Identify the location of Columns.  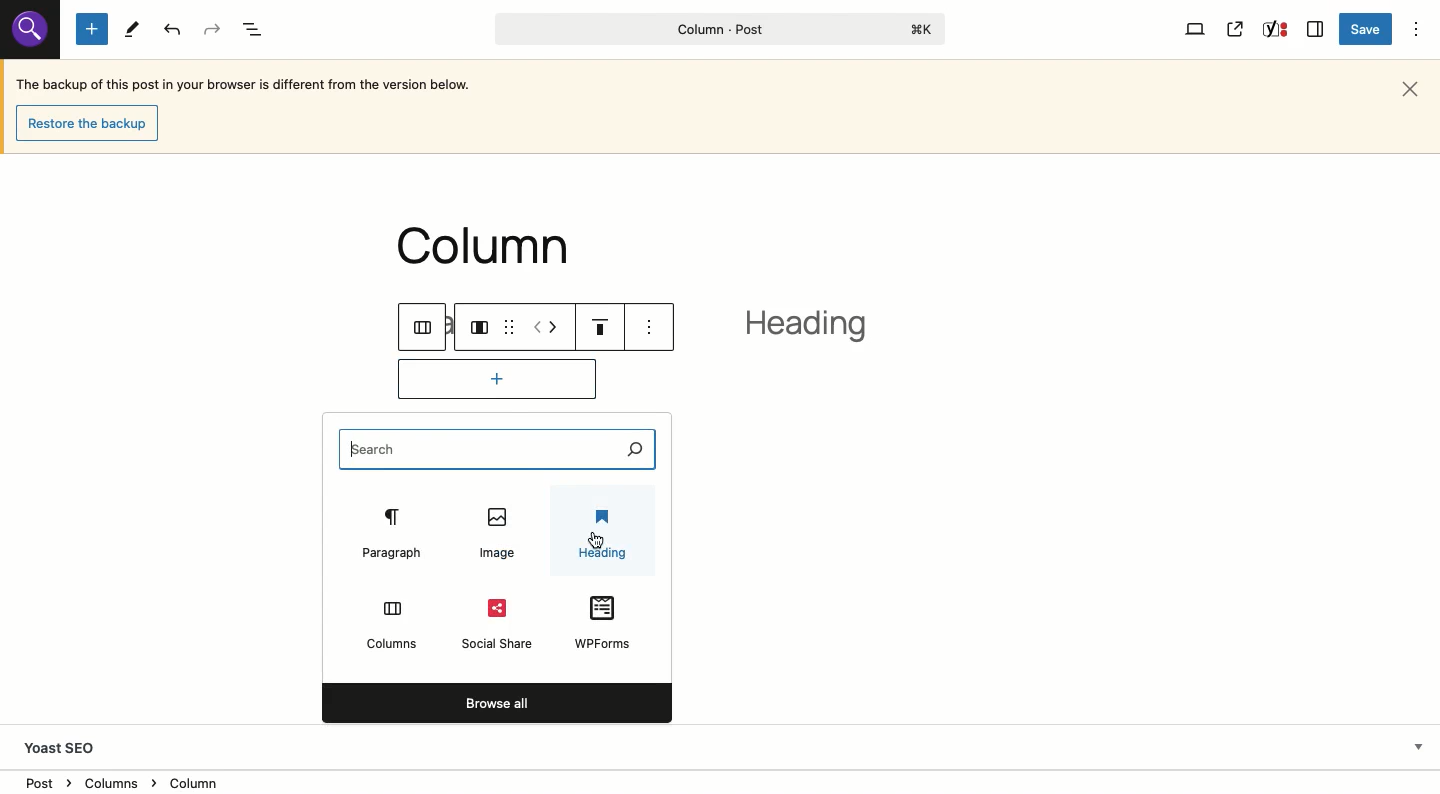
(394, 629).